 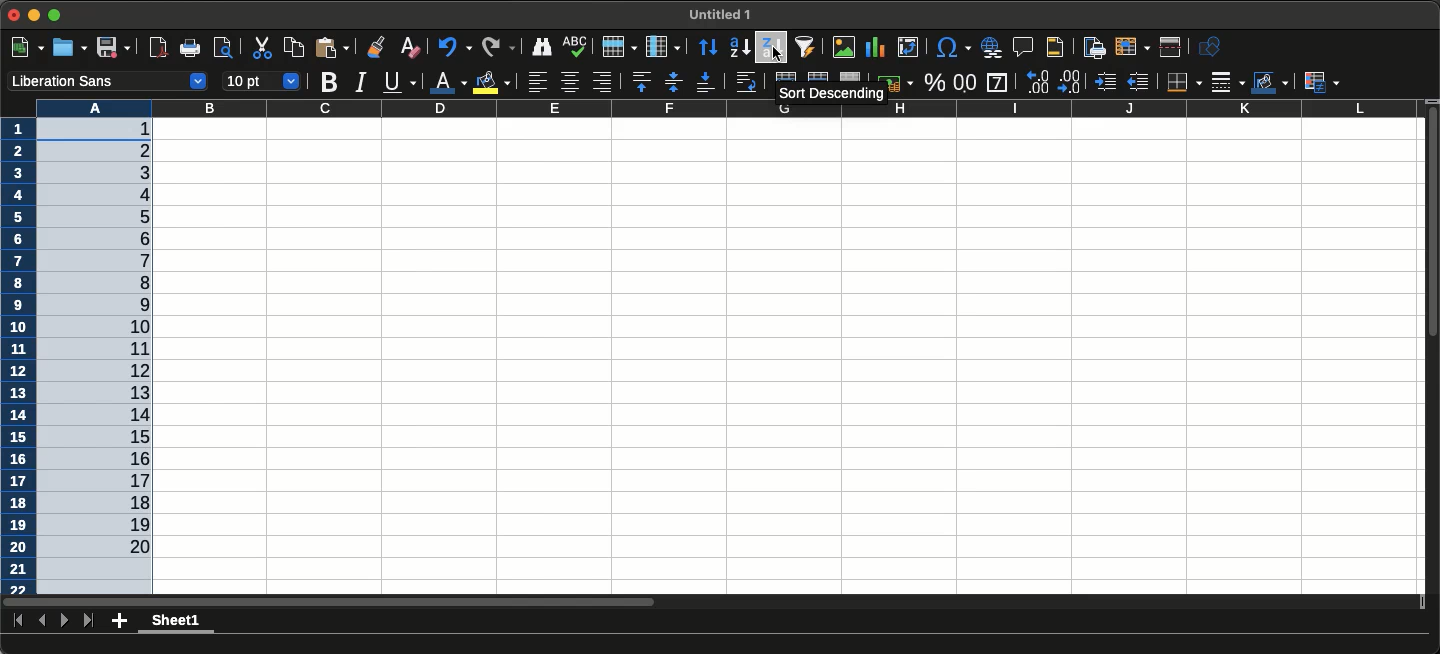 What do you see at coordinates (448, 81) in the screenshot?
I see `Font color` at bounding box center [448, 81].